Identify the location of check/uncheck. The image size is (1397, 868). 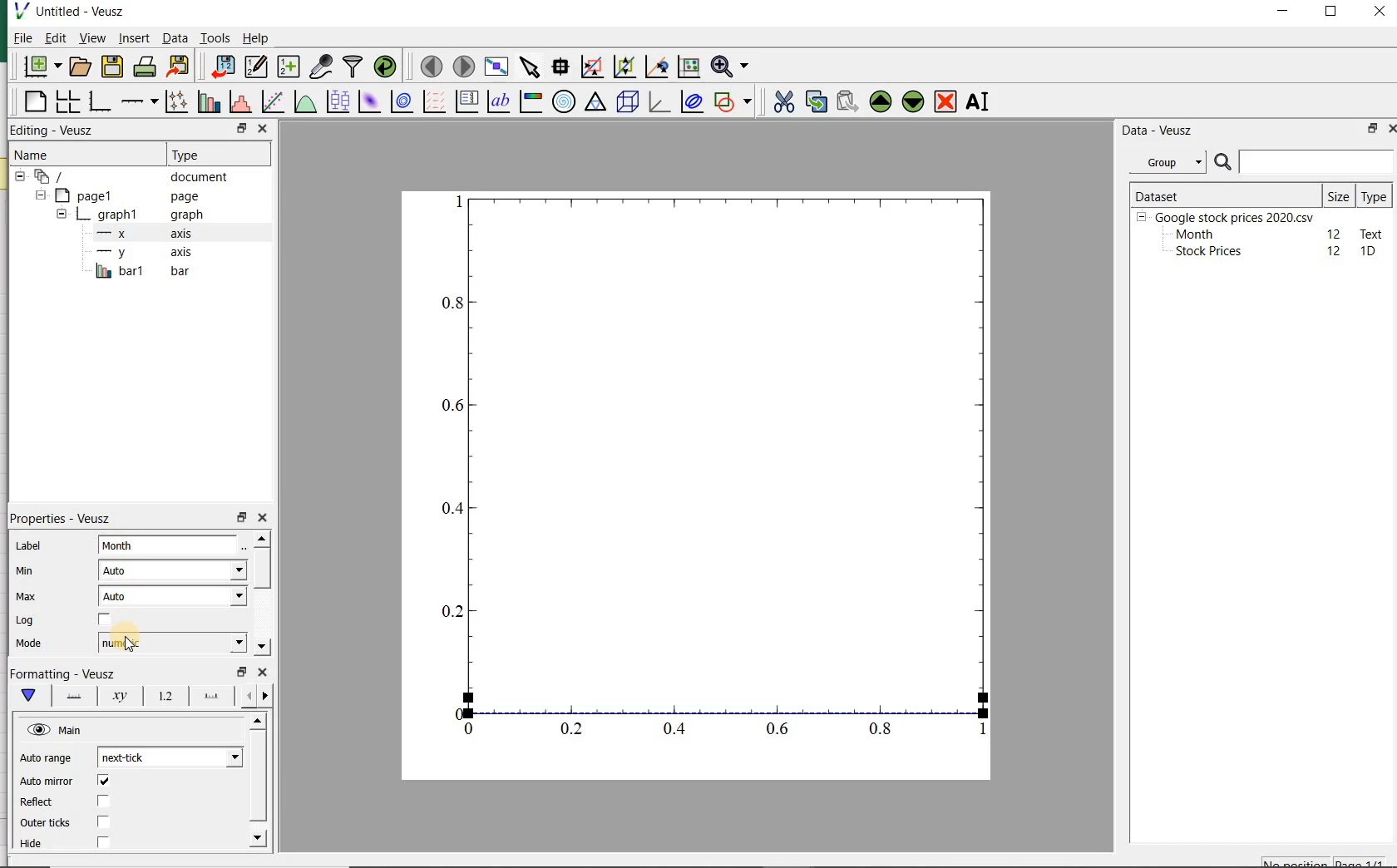
(102, 801).